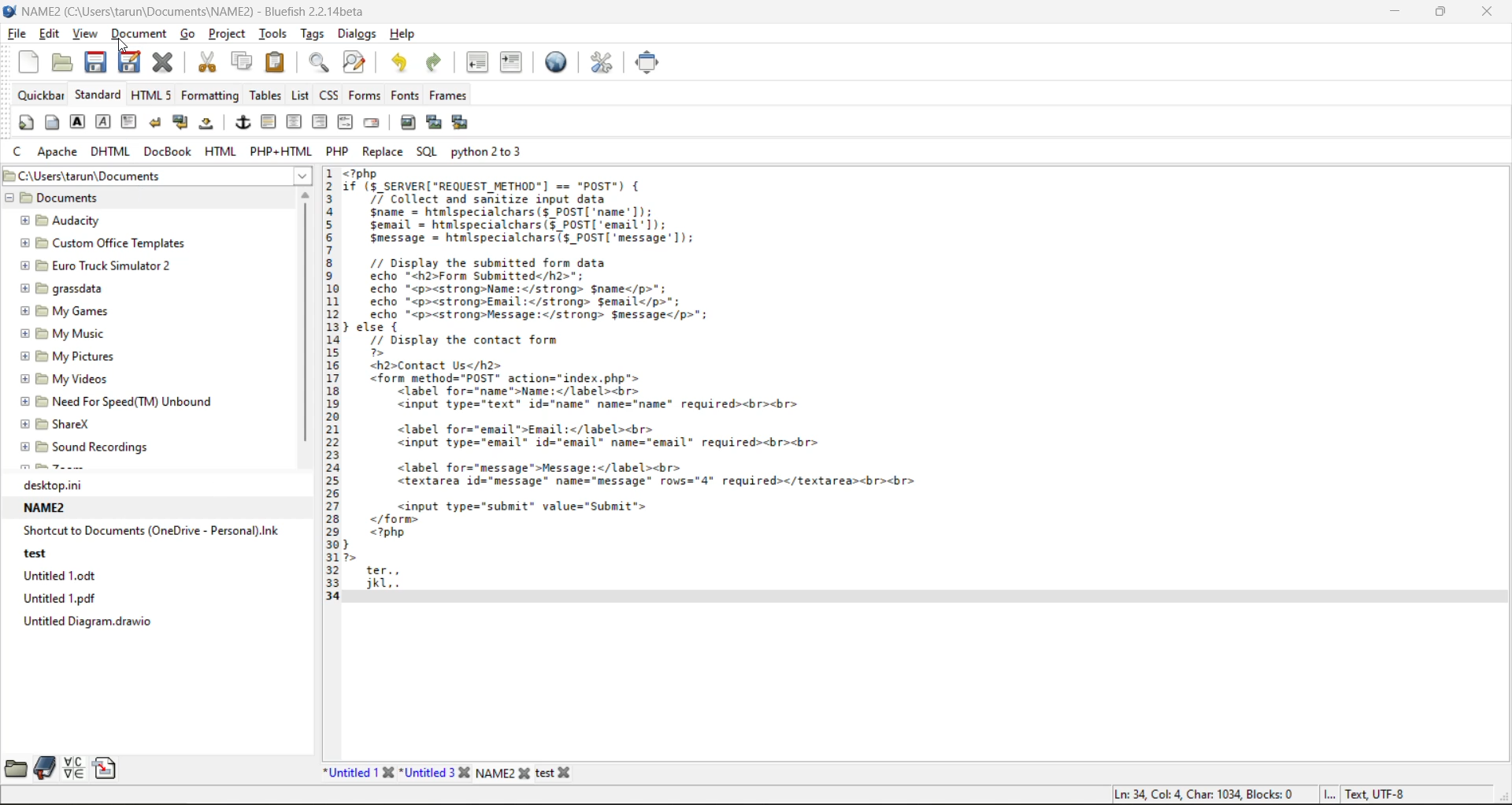  What do you see at coordinates (402, 95) in the screenshot?
I see `fonts` at bounding box center [402, 95].